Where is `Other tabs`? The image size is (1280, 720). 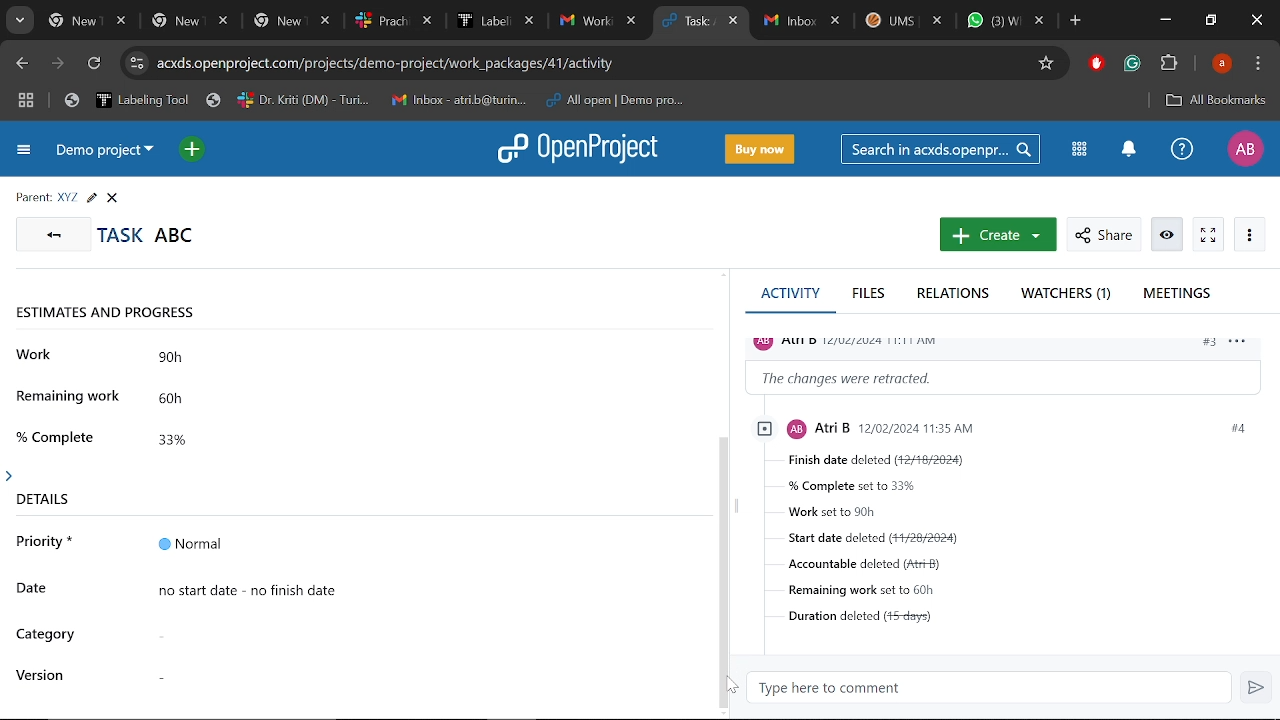
Other tabs is located at coordinates (905, 23).